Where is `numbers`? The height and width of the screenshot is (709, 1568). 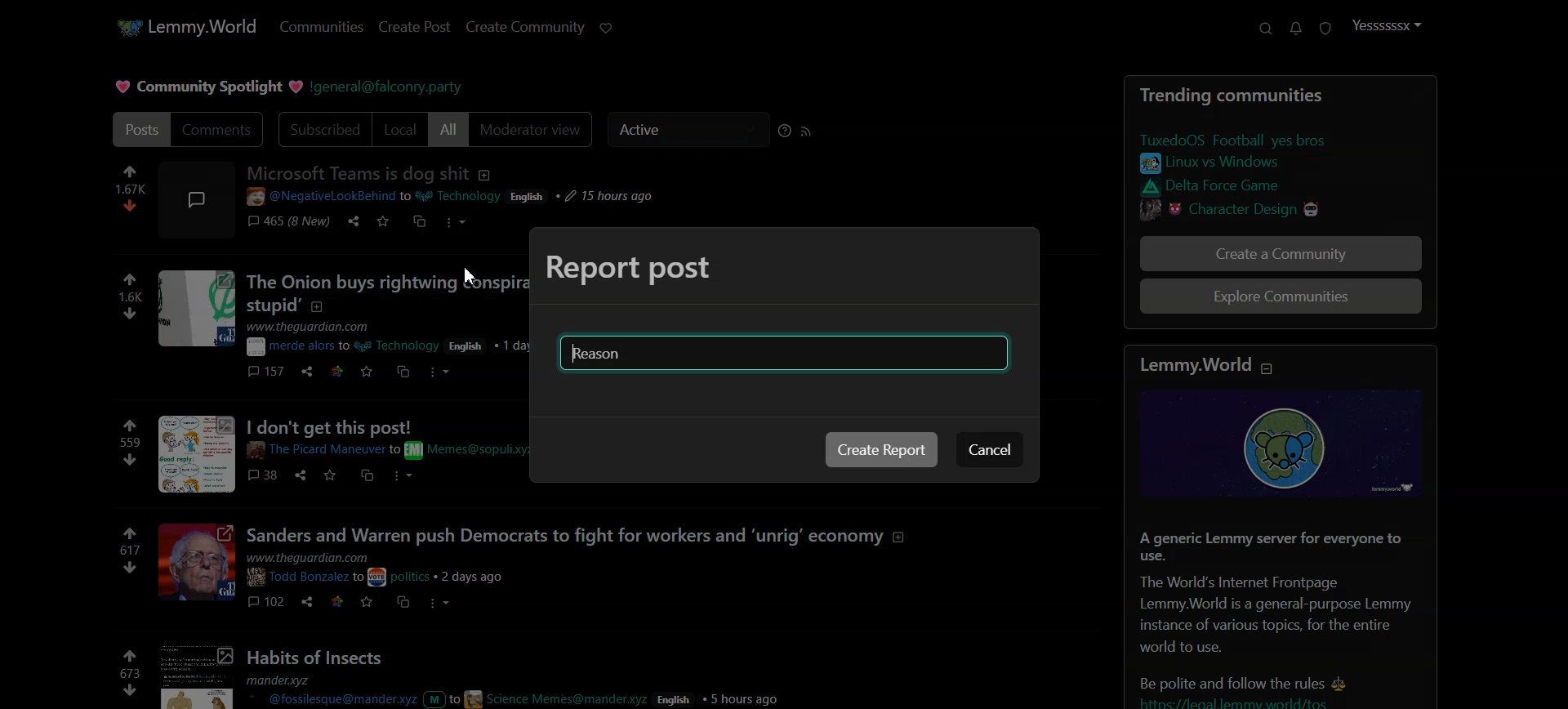 numbers is located at coordinates (131, 550).